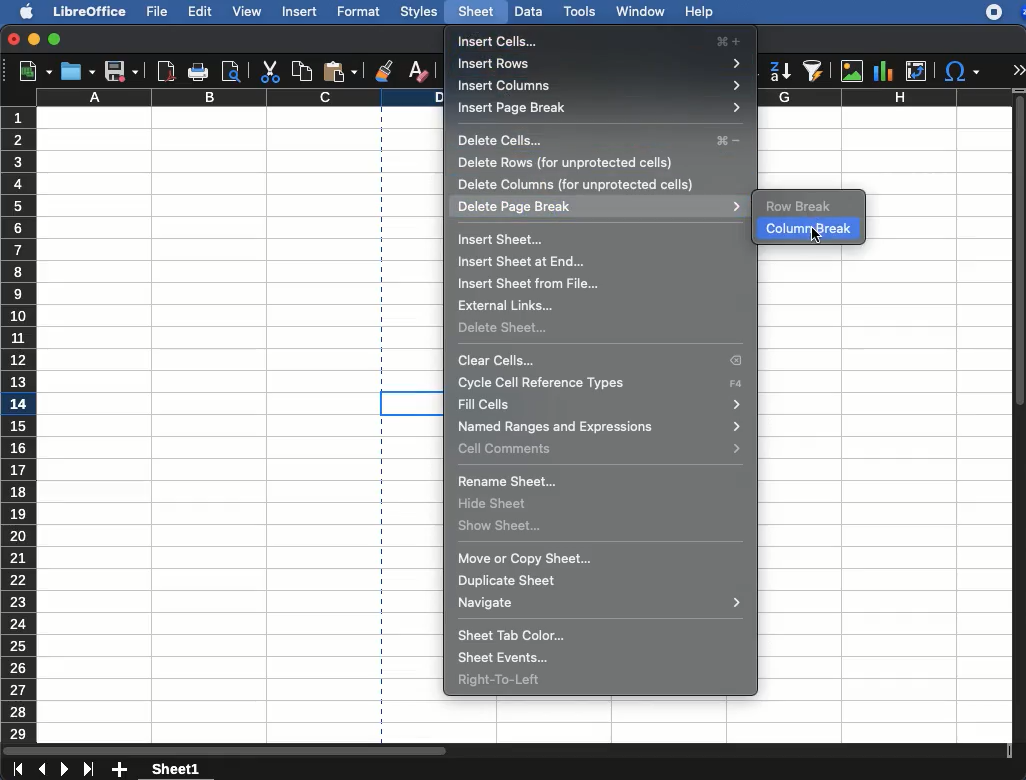 Image resolution: width=1026 pixels, height=780 pixels. What do you see at coordinates (884, 72) in the screenshot?
I see `chart` at bounding box center [884, 72].